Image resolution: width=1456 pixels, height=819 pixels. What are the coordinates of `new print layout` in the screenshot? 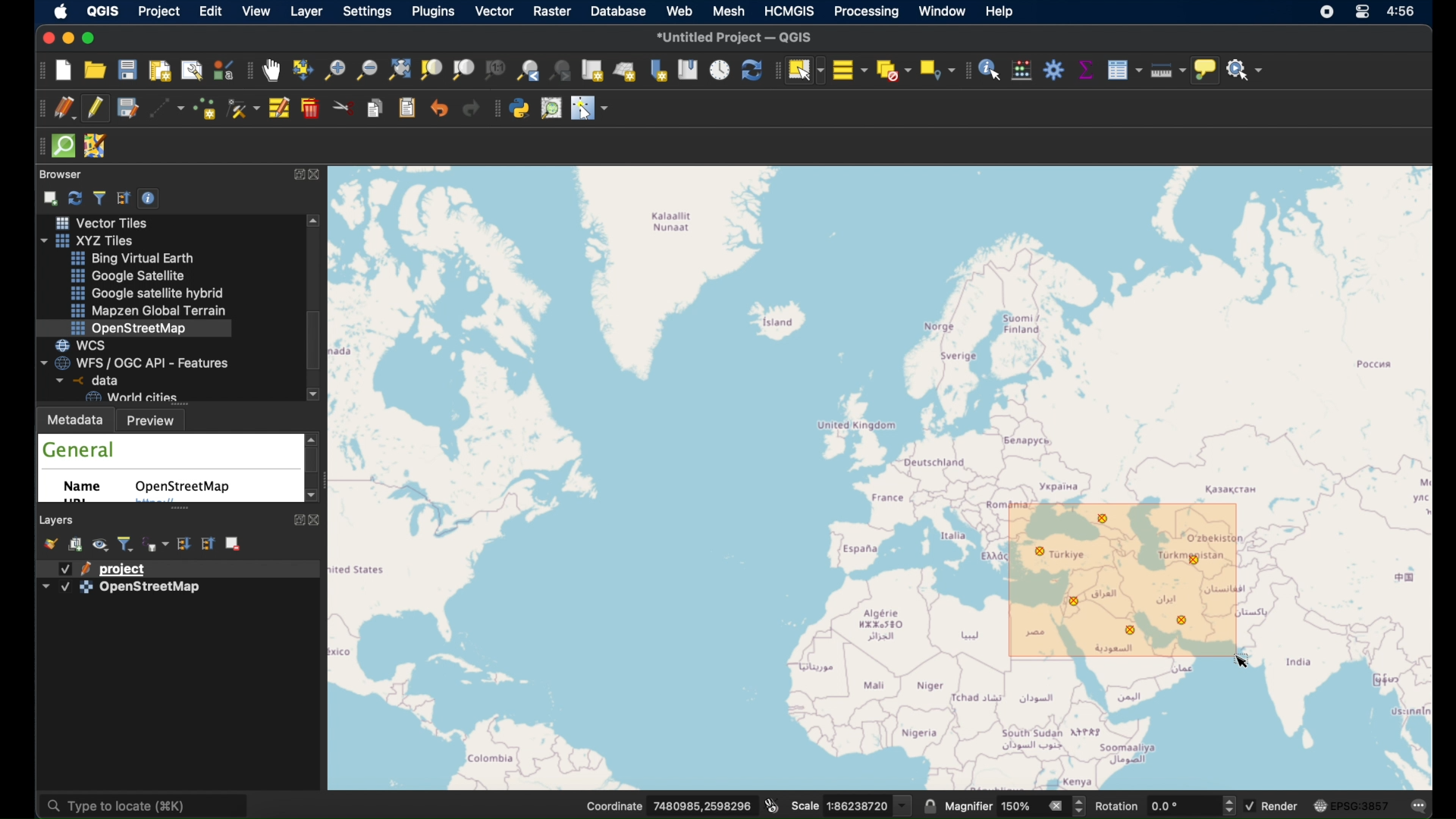 It's located at (158, 71).